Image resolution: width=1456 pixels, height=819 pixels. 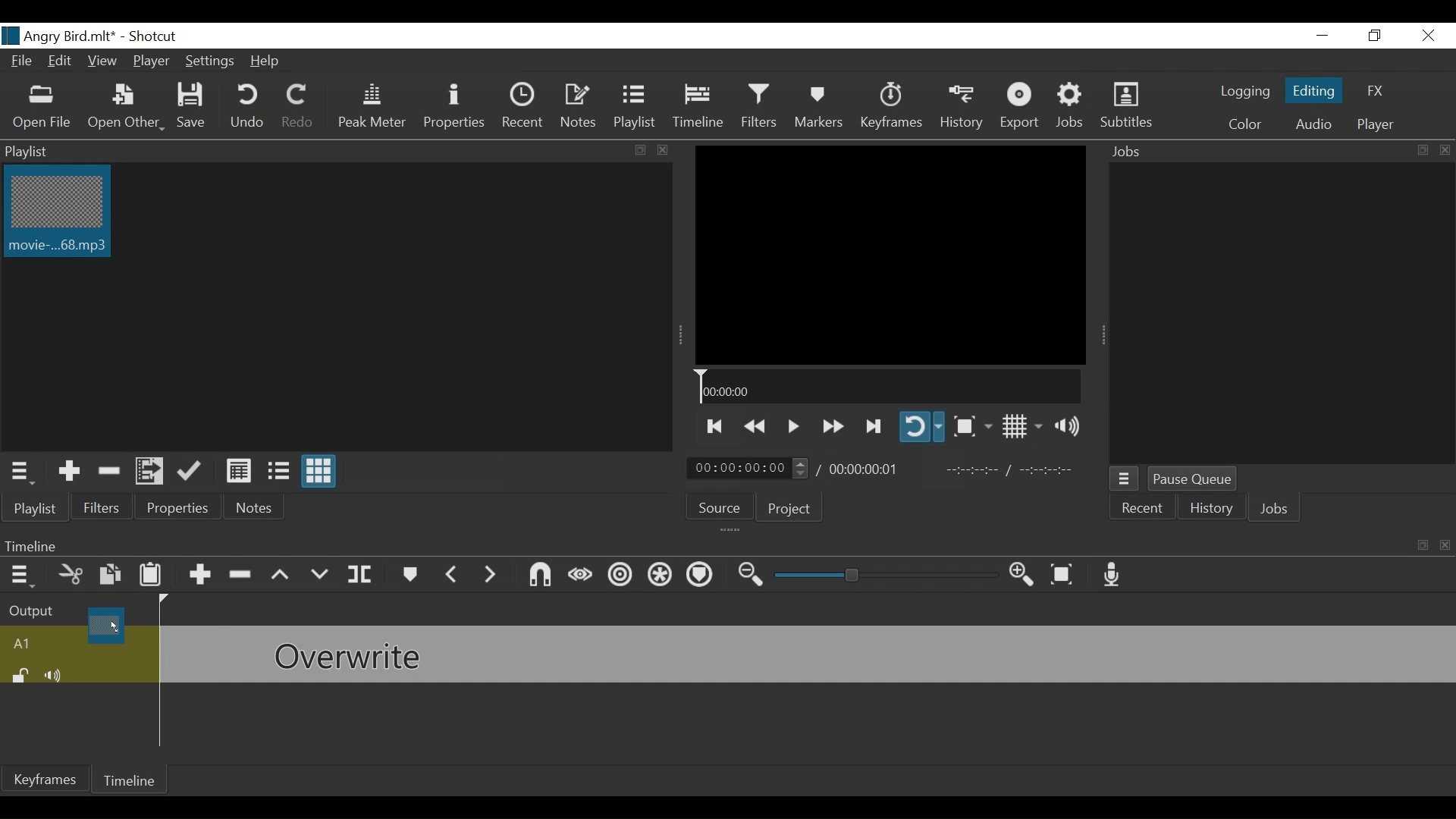 What do you see at coordinates (192, 472) in the screenshot?
I see `Update` at bounding box center [192, 472].